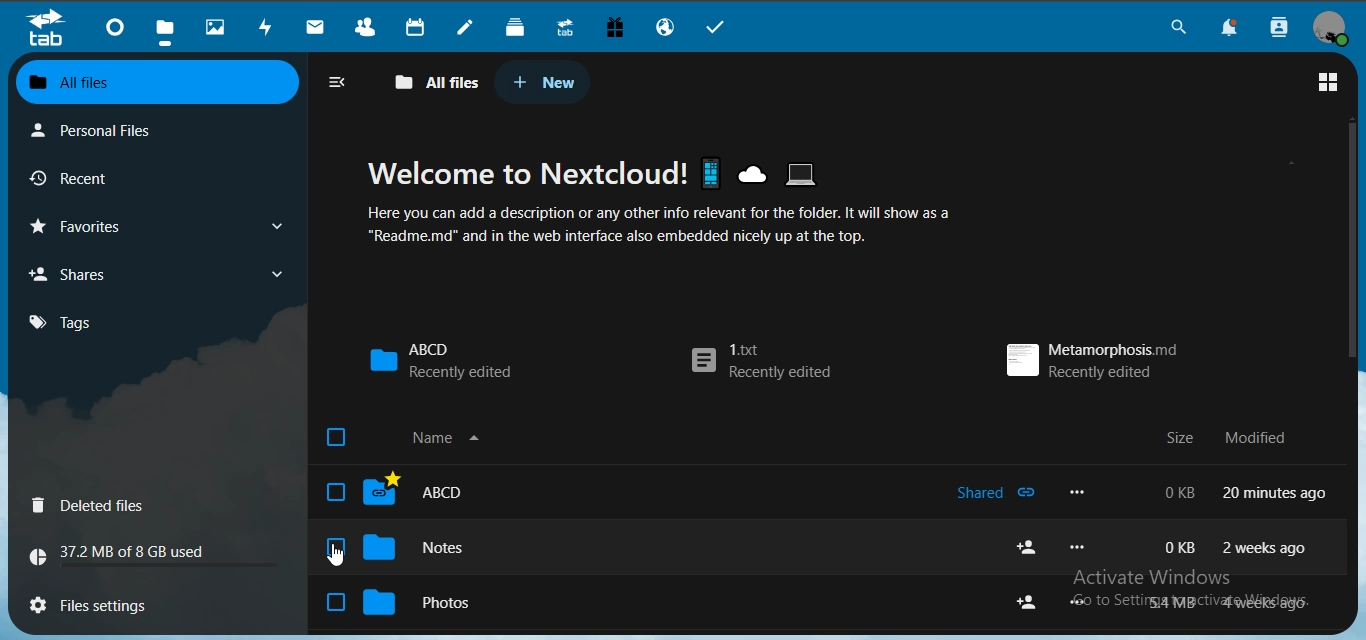  I want to click on notes, so click(469, 28).